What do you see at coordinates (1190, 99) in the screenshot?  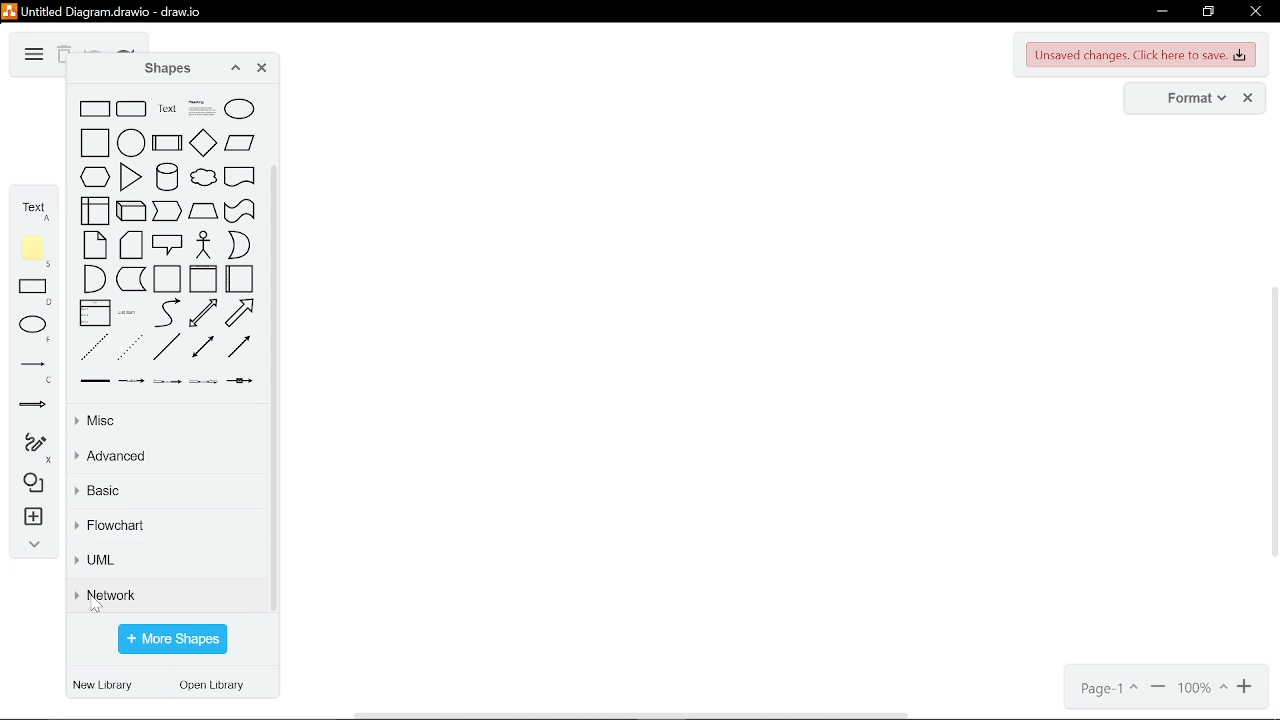 I see `format` at bounding box center [1190, 99].